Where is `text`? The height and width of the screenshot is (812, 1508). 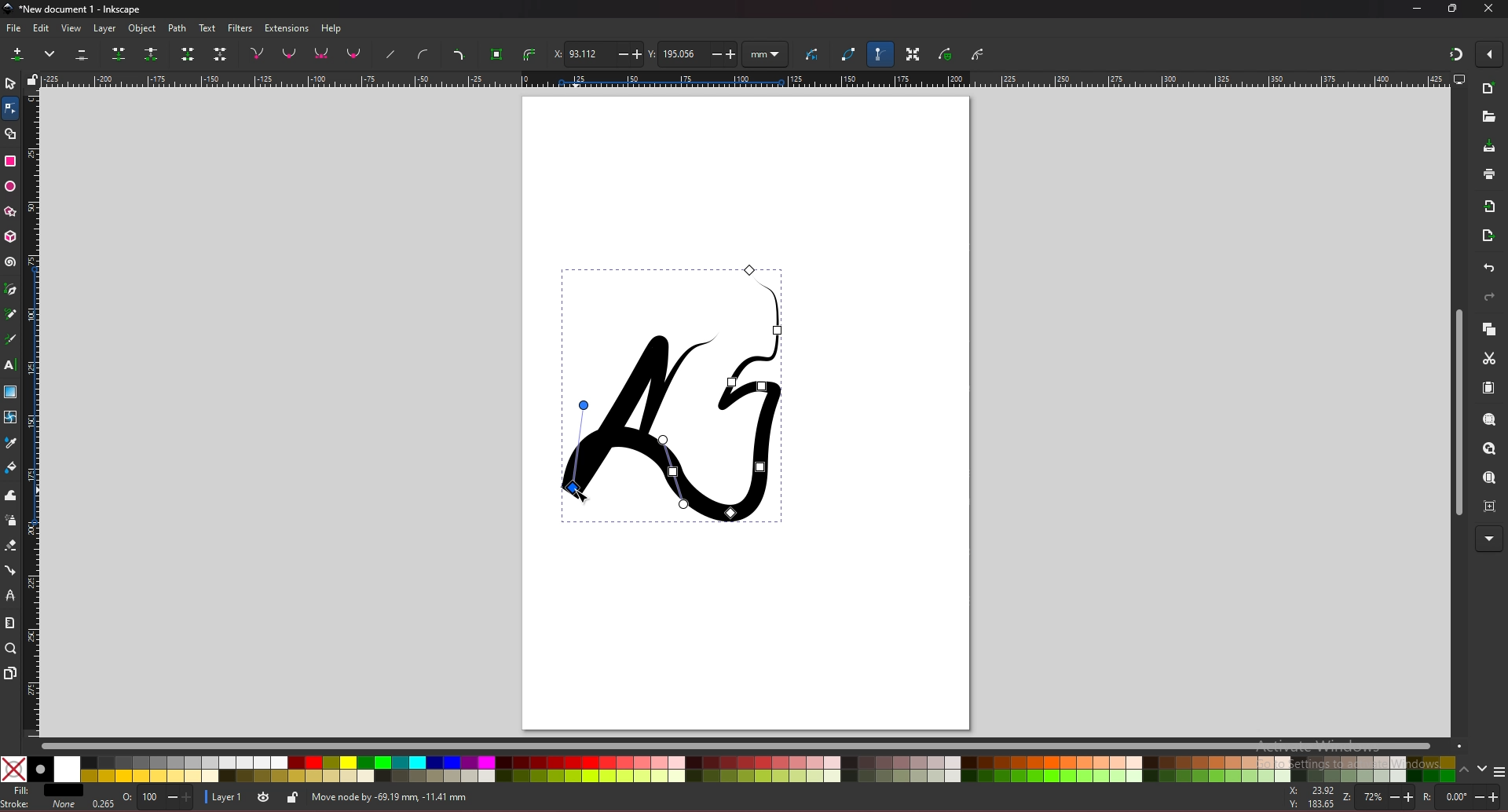 text is located at coordinates (207, 27).